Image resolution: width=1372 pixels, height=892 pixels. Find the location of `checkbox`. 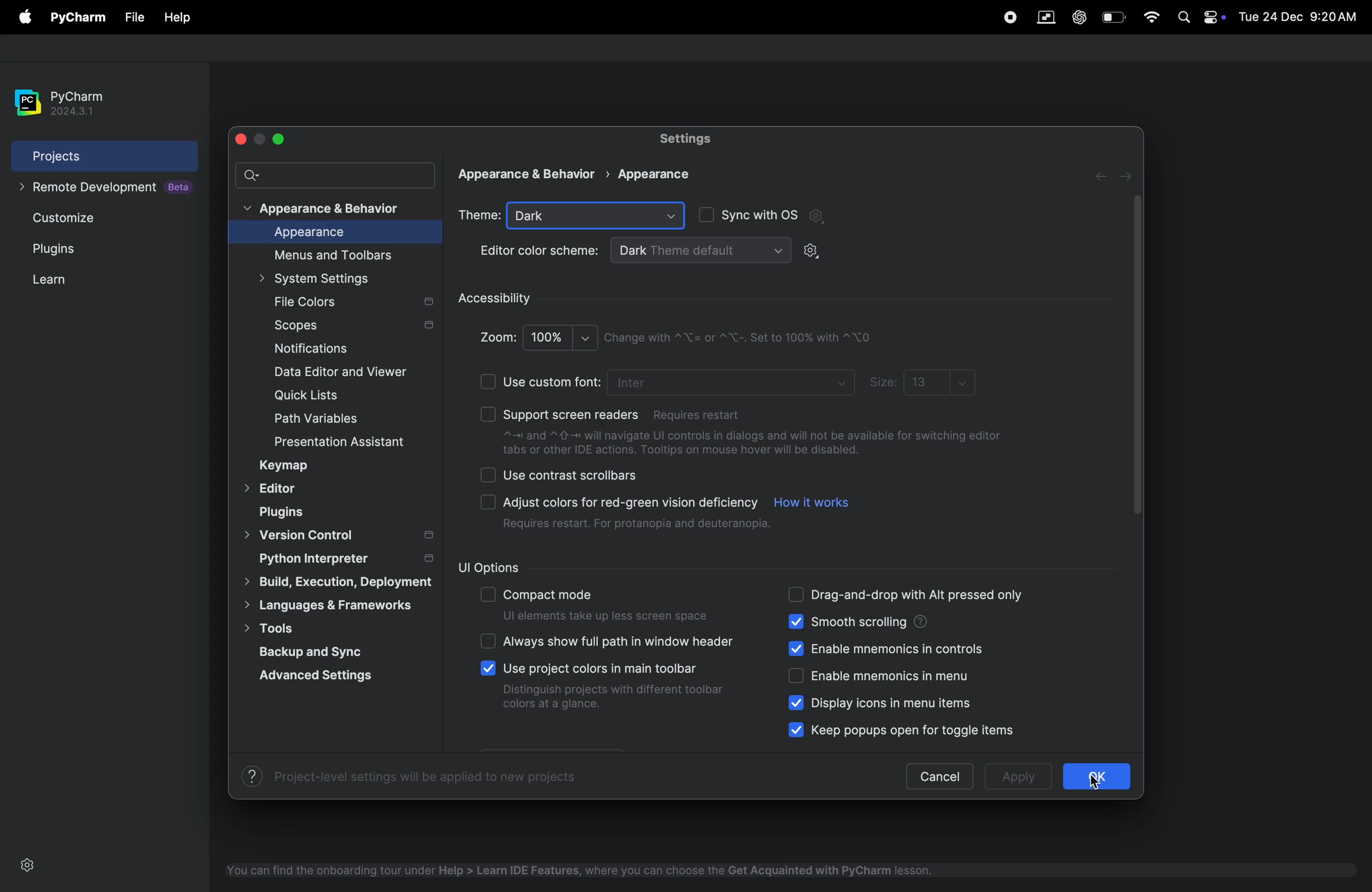

checkbox is located at coordinates (490, 381).